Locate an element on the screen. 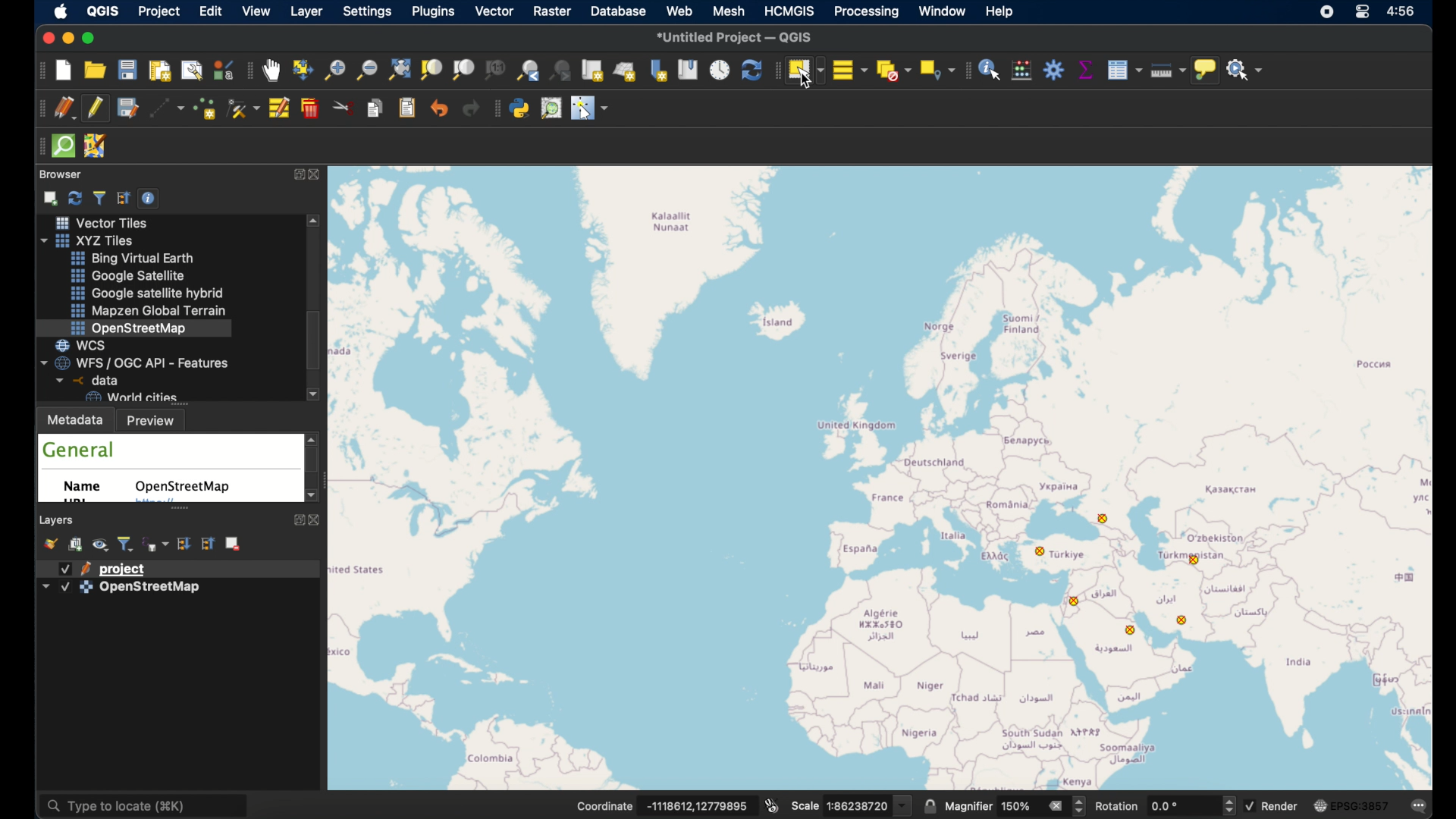 The image size is (1456, 819). world cities is located at coordinates (130, 397).